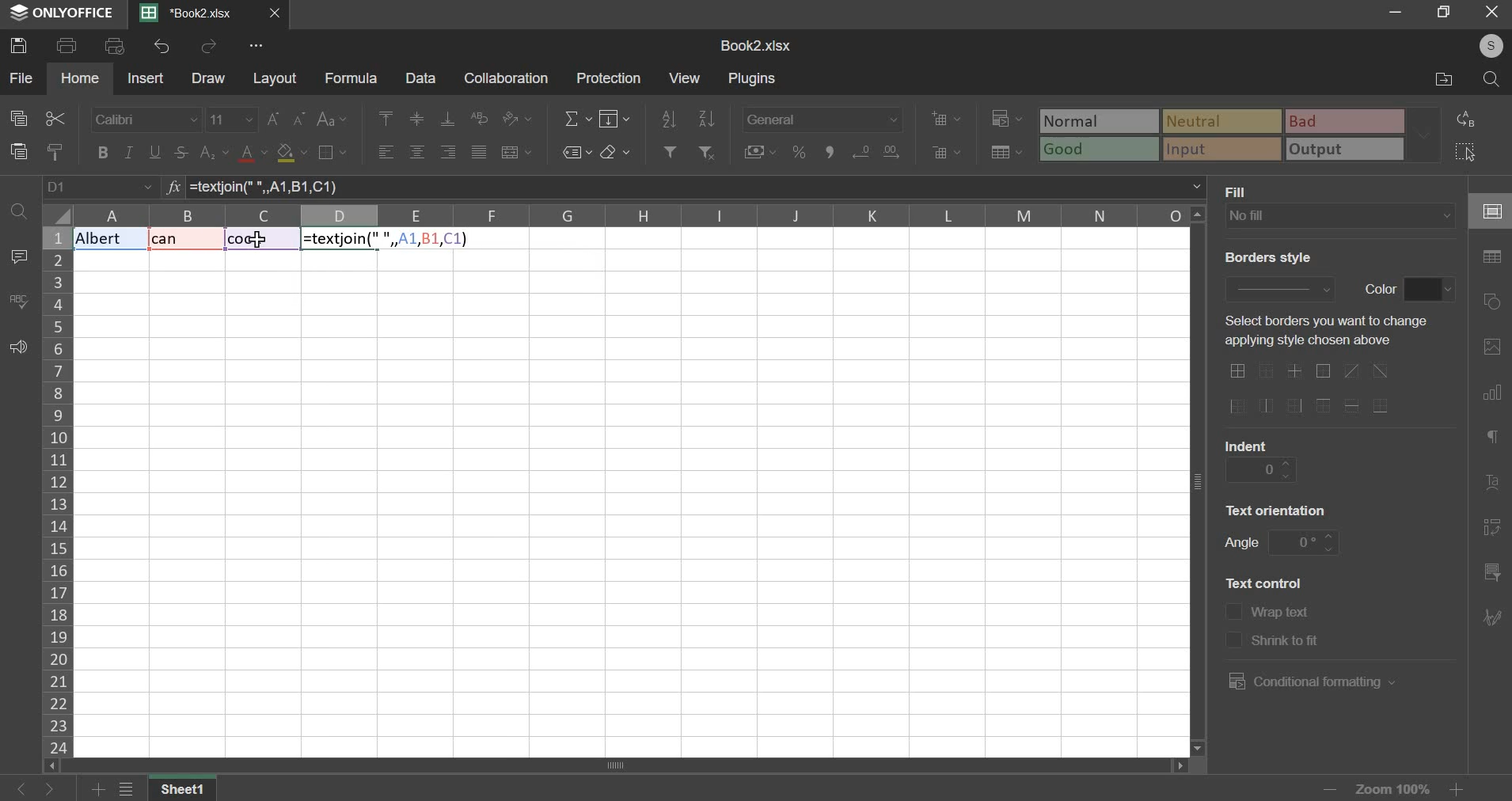 The image size is (1512, 801). I want to click on font, so click(145, 120).